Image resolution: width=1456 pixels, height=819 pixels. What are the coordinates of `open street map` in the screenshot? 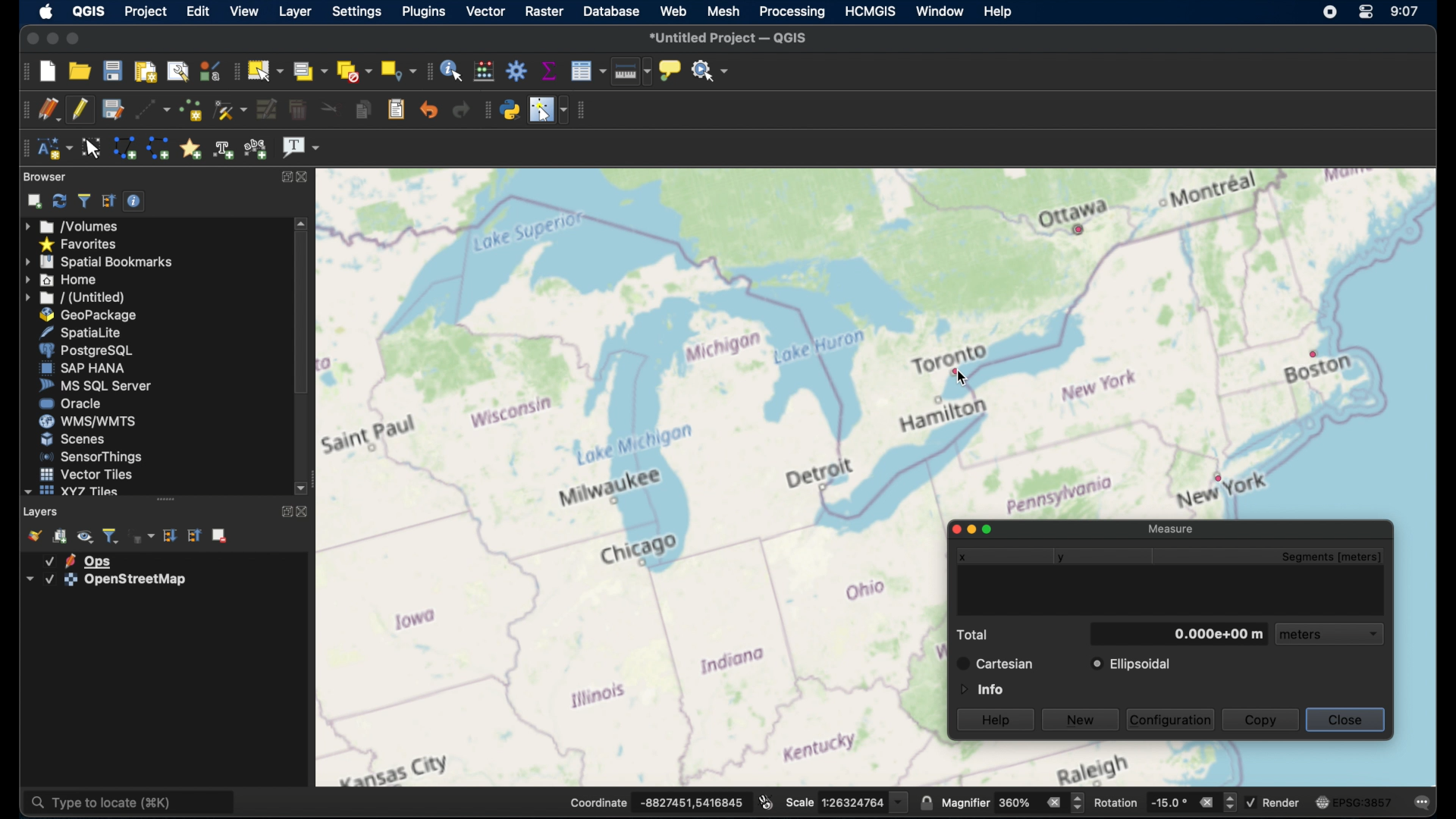 It's located at (1179, 303).